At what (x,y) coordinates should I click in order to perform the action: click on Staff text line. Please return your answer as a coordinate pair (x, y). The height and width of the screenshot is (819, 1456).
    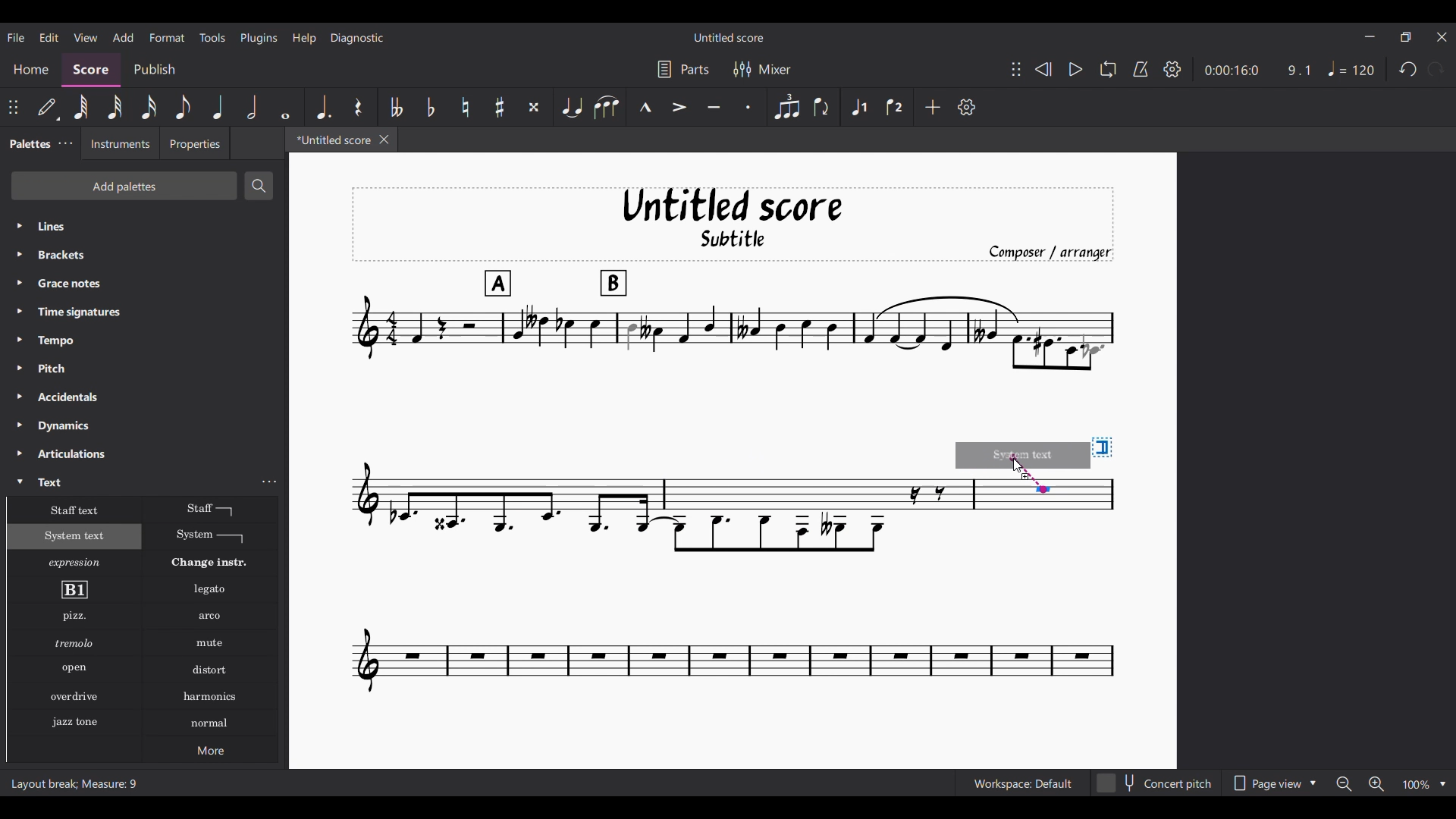
    Looking at the image, I should click on (211, 509).